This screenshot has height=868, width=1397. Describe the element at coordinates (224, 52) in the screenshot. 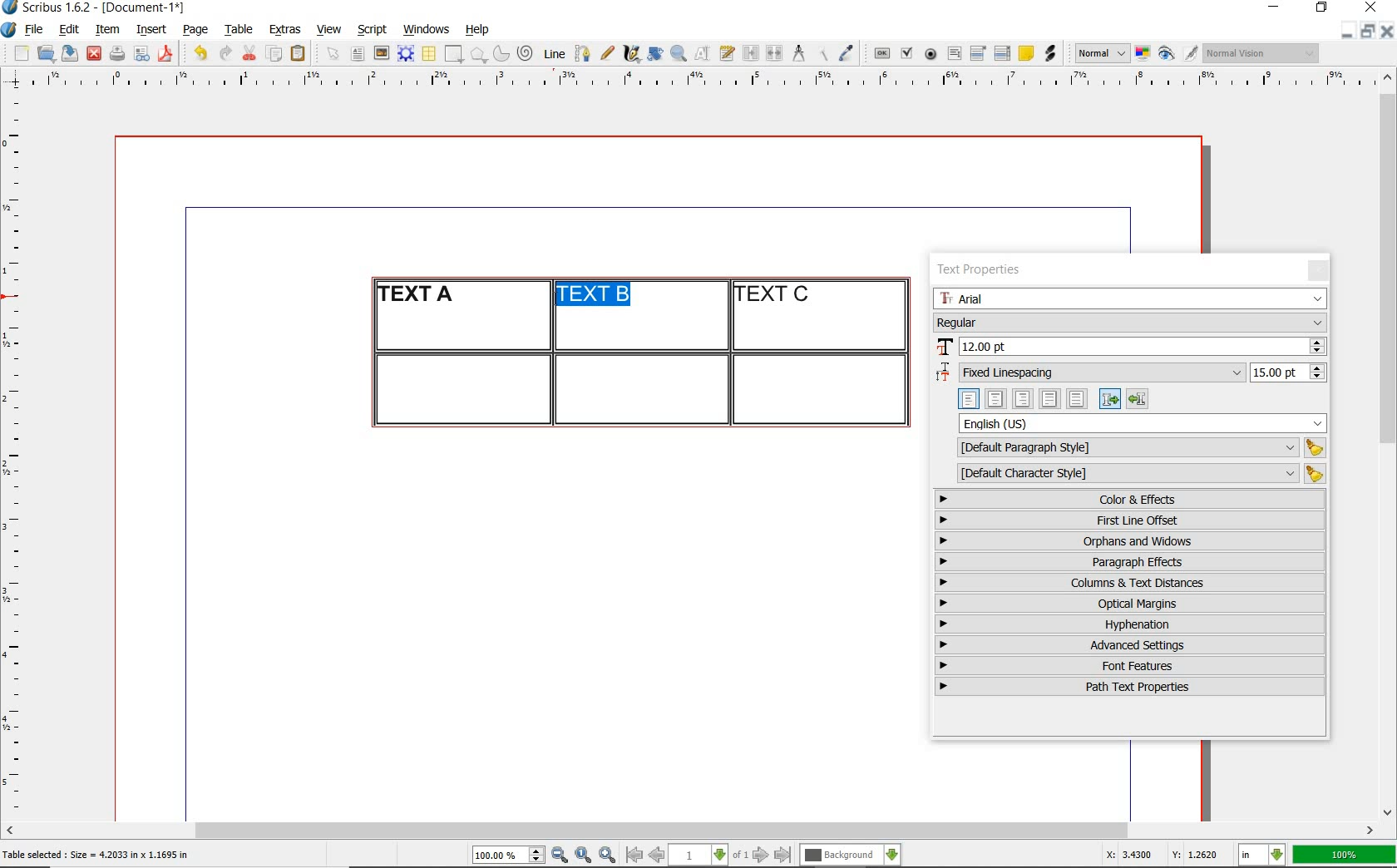

I see `redo` at that location.